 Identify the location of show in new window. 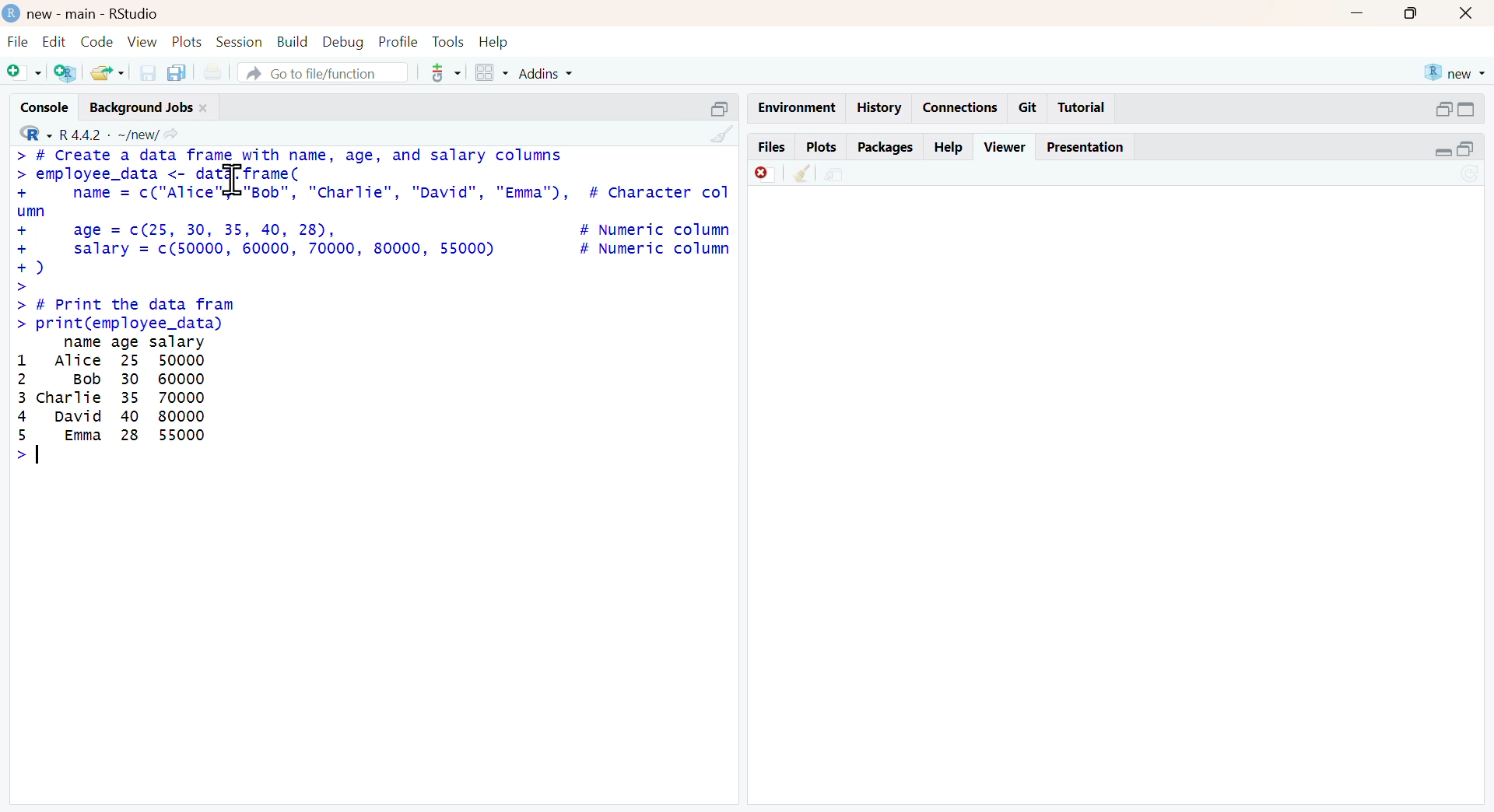
(849, 175).